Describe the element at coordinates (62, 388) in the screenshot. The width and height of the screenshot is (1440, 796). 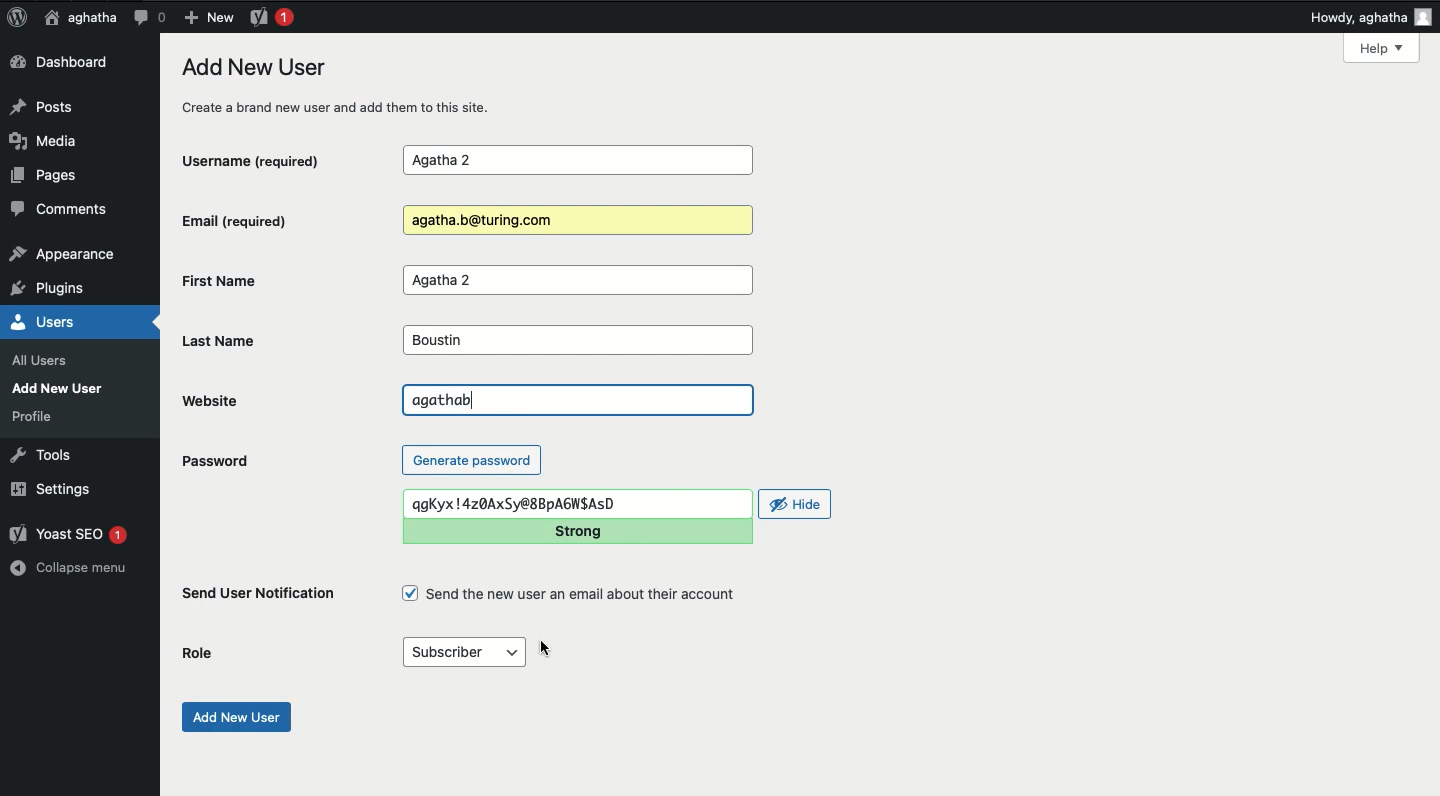
I see `Add new user` at that location.